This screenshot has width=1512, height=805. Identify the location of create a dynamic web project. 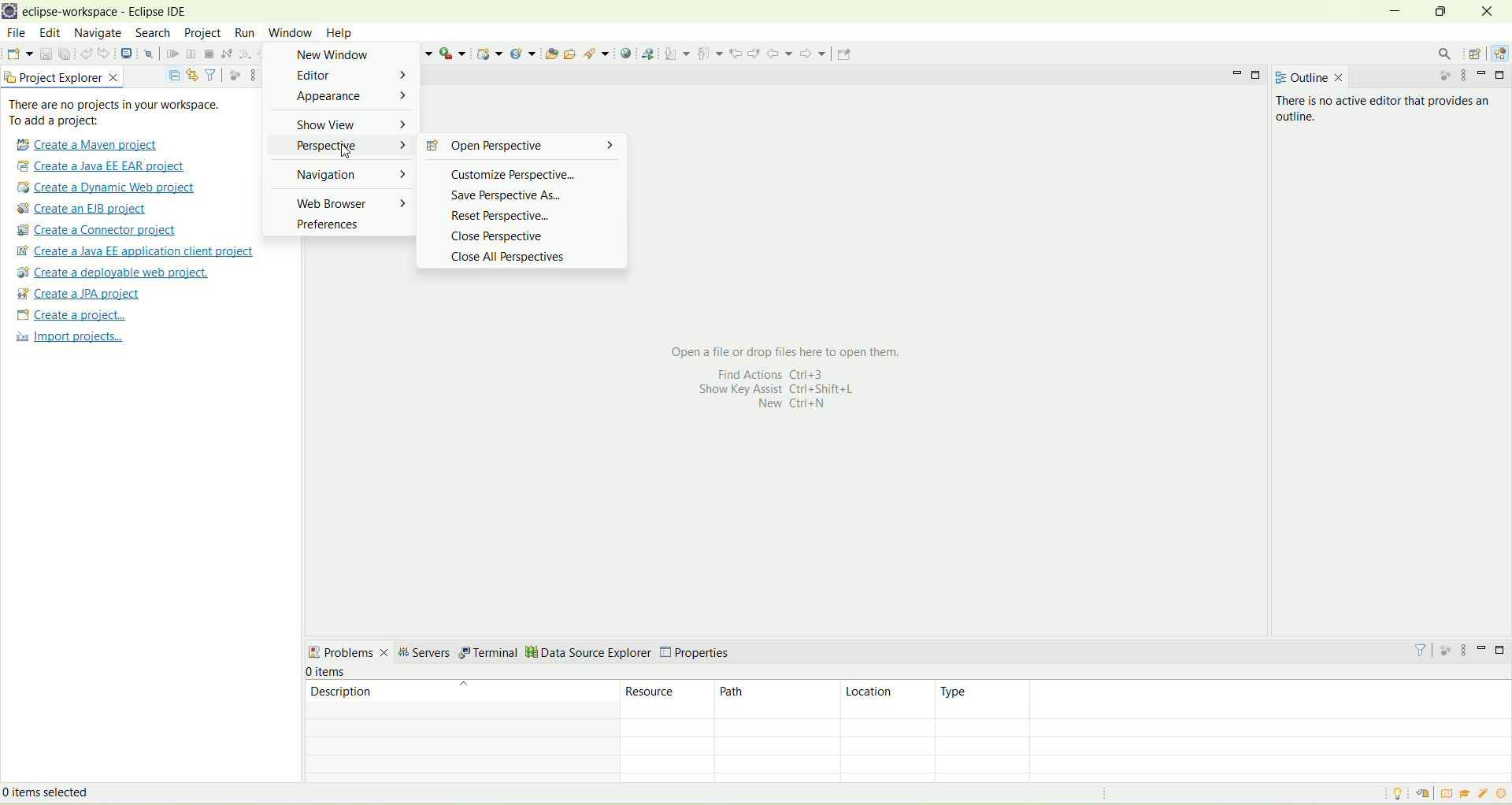
(109, 187).